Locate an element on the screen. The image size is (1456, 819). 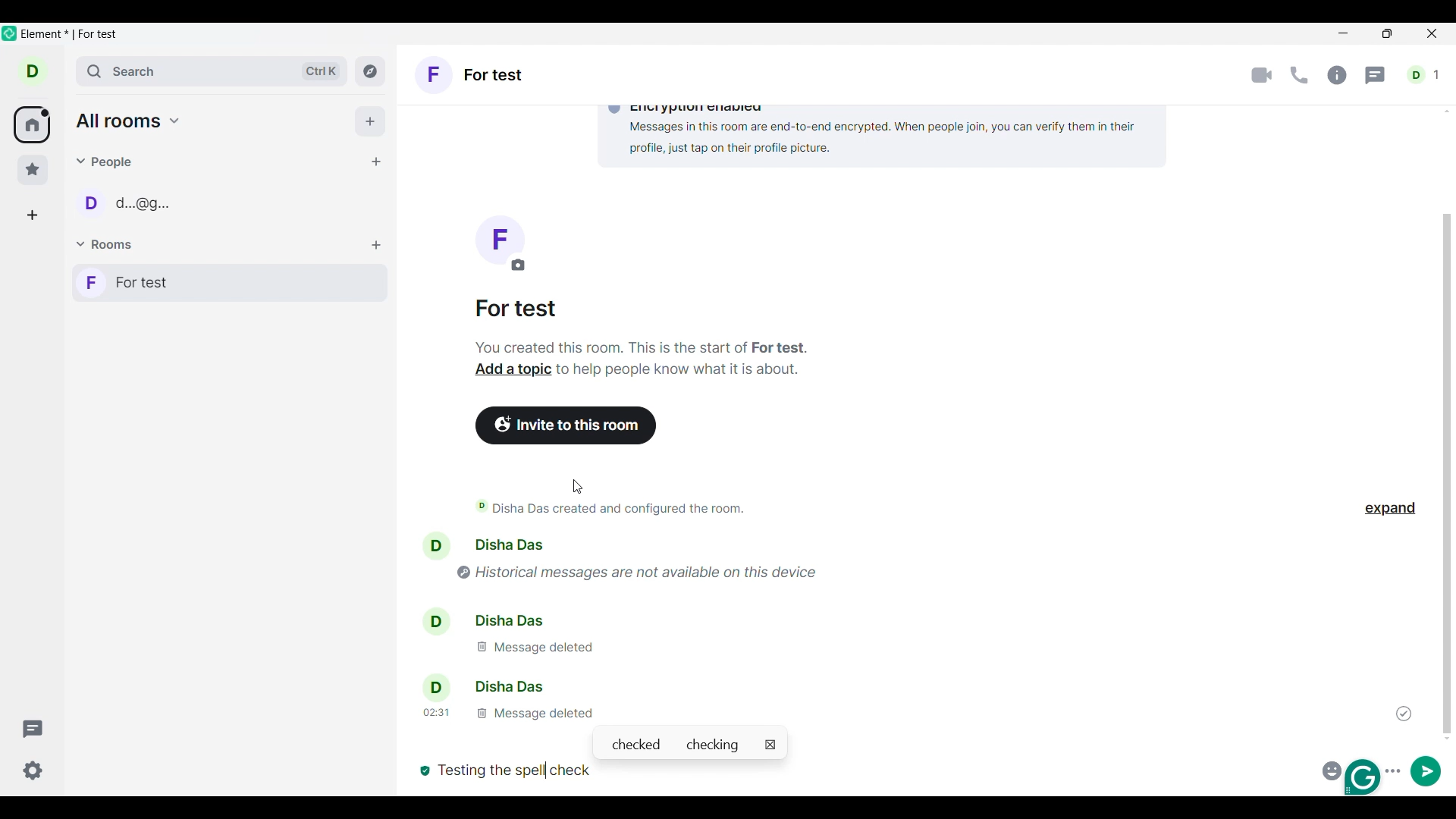
Rooms is located at coordinates (107, 245).